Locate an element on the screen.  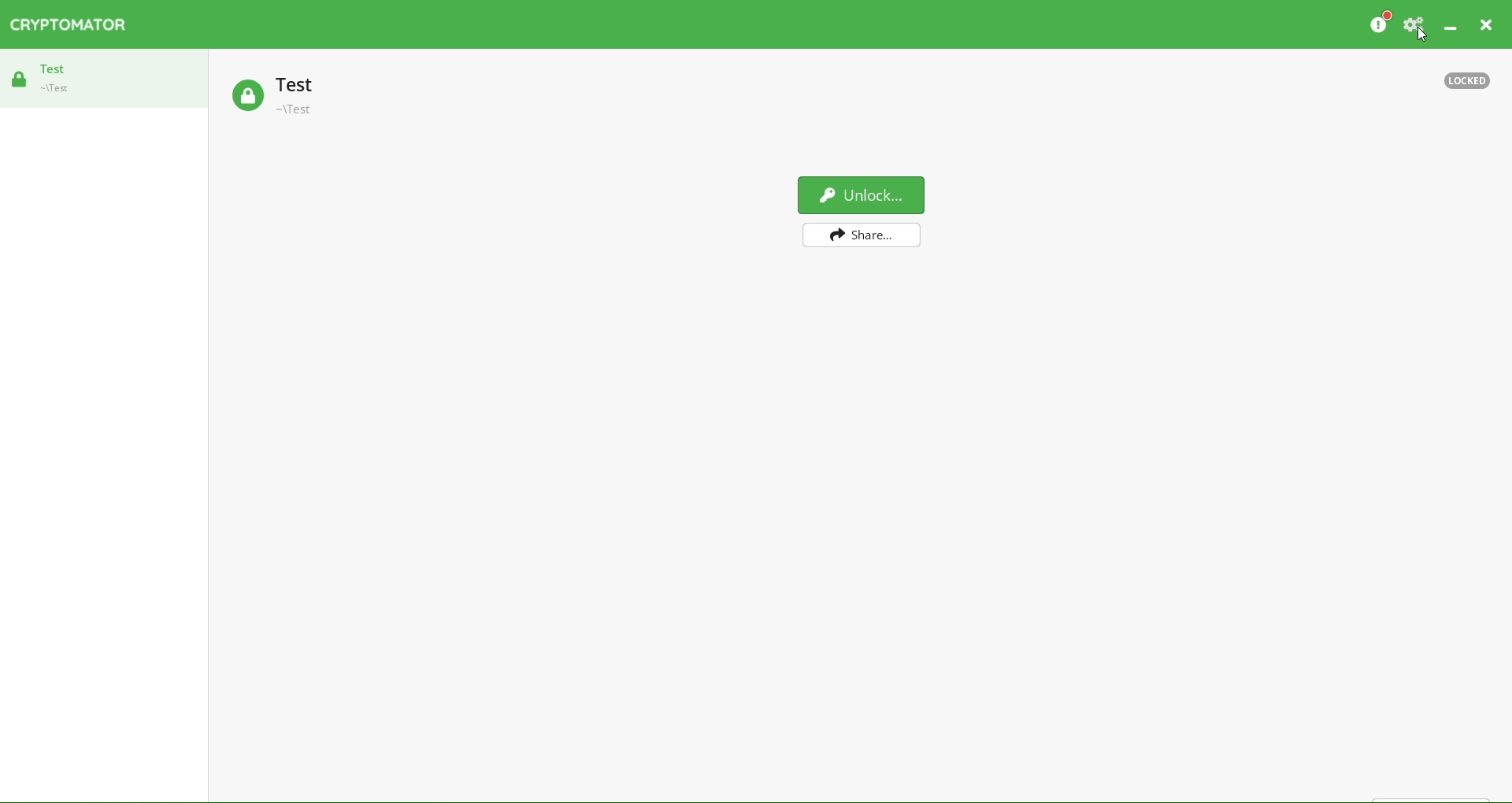
Minimize is located at coordinates (1447, 26).